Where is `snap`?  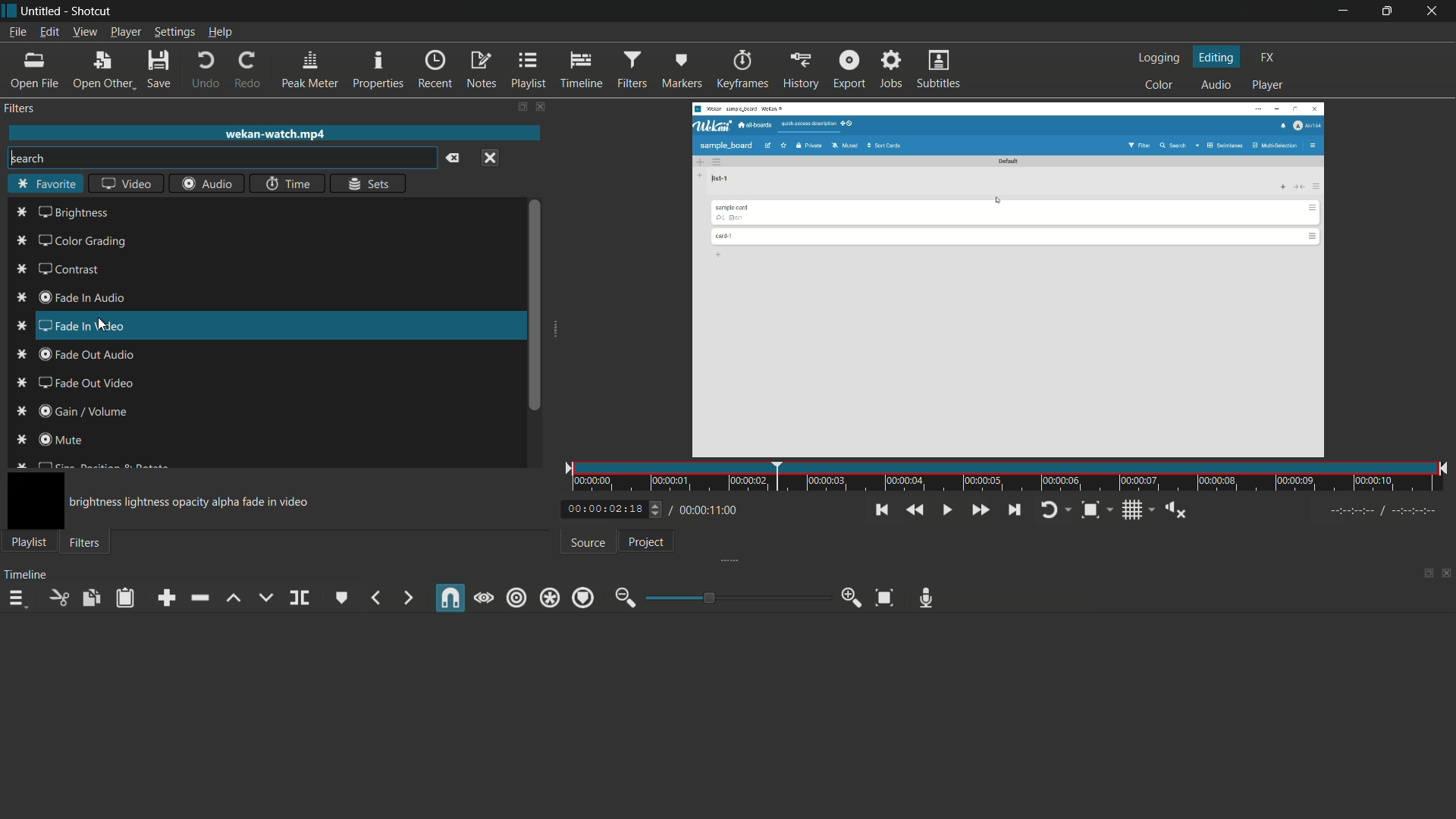
snap is located at coordinates (452, 598).